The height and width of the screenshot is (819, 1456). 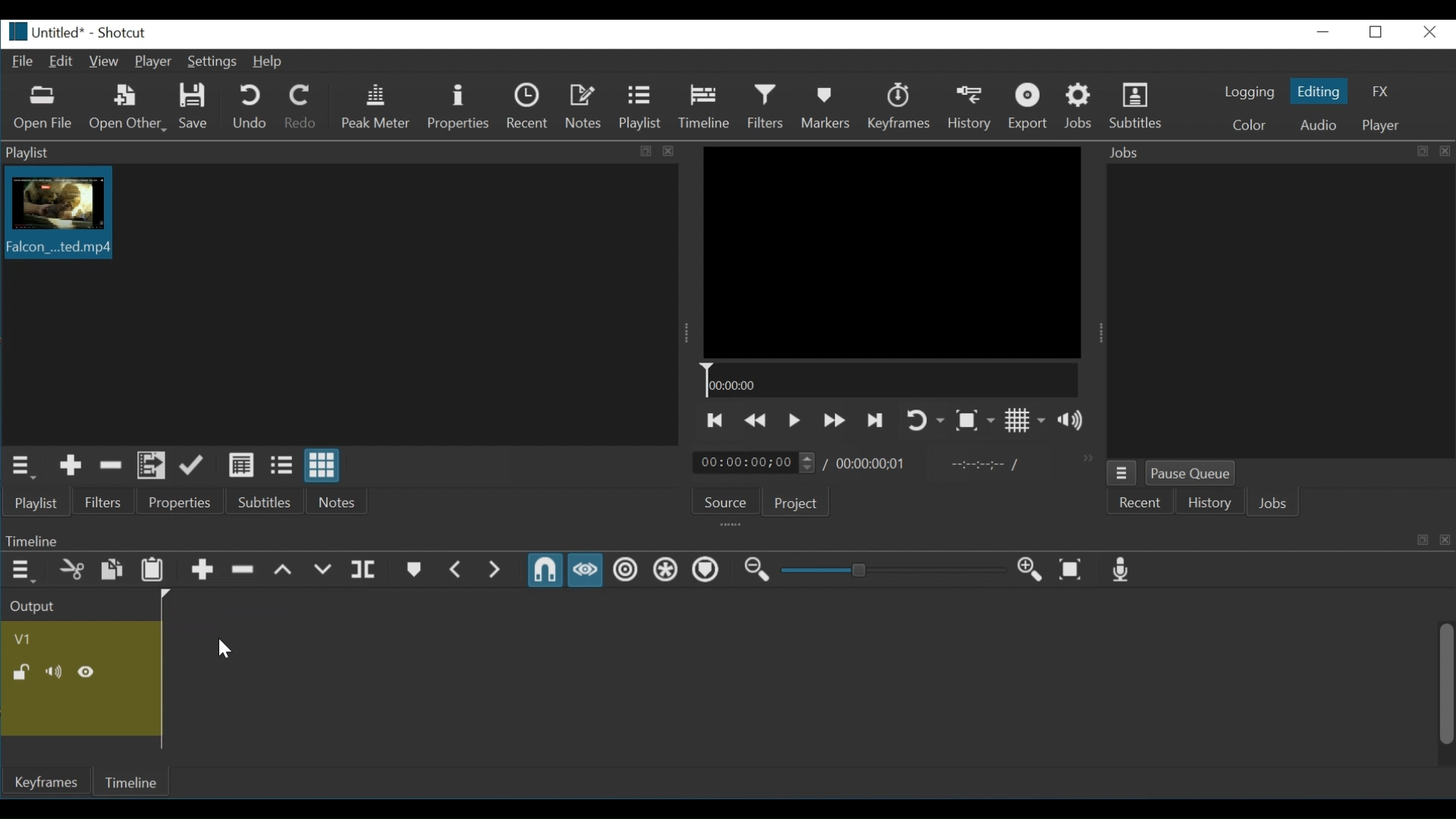 What do you see at coordinates (227, 649) in the screenshot?
I see `cursor` at bounding box center [227, 649].